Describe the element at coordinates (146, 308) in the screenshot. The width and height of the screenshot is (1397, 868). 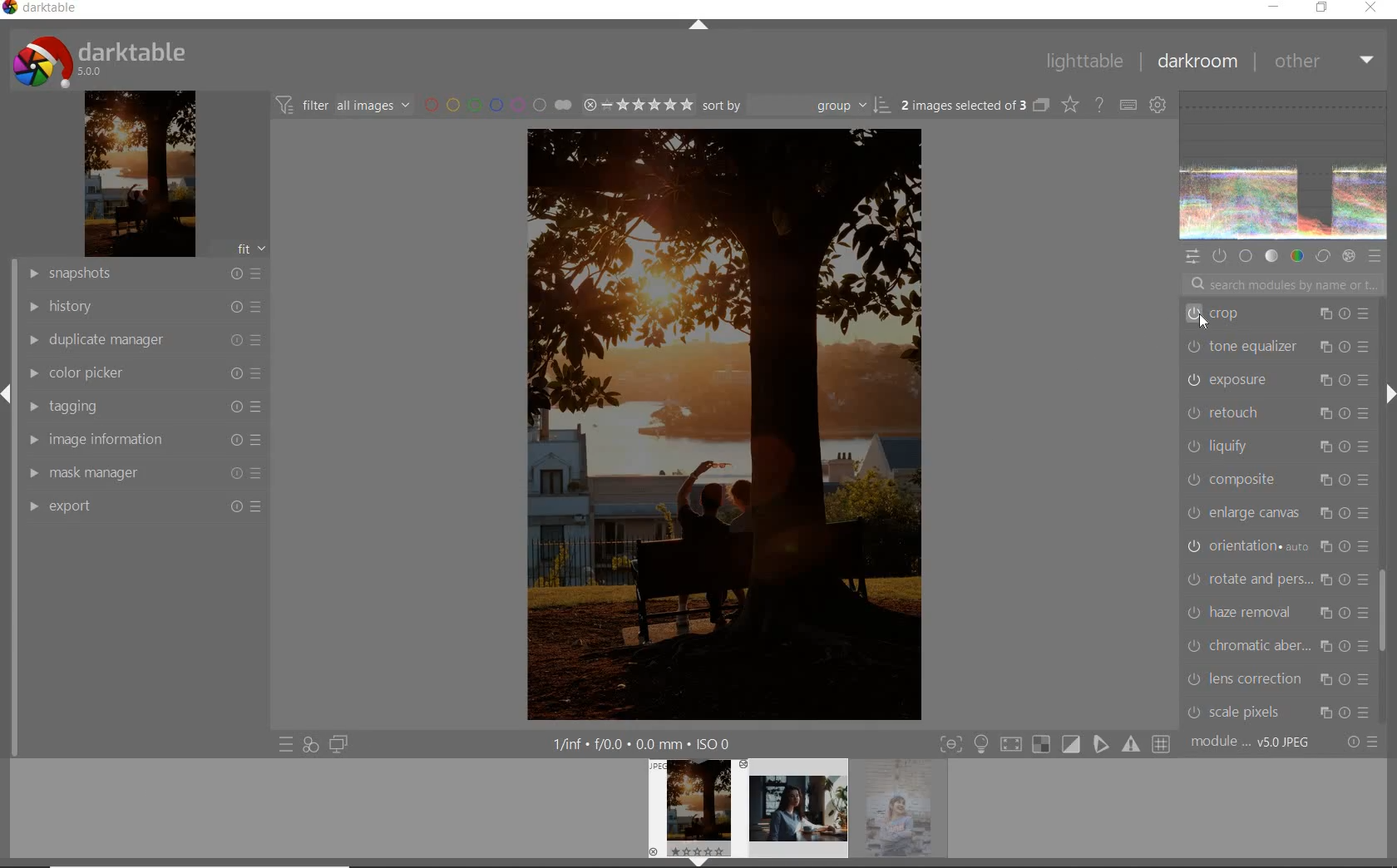
I see `history` at that location.